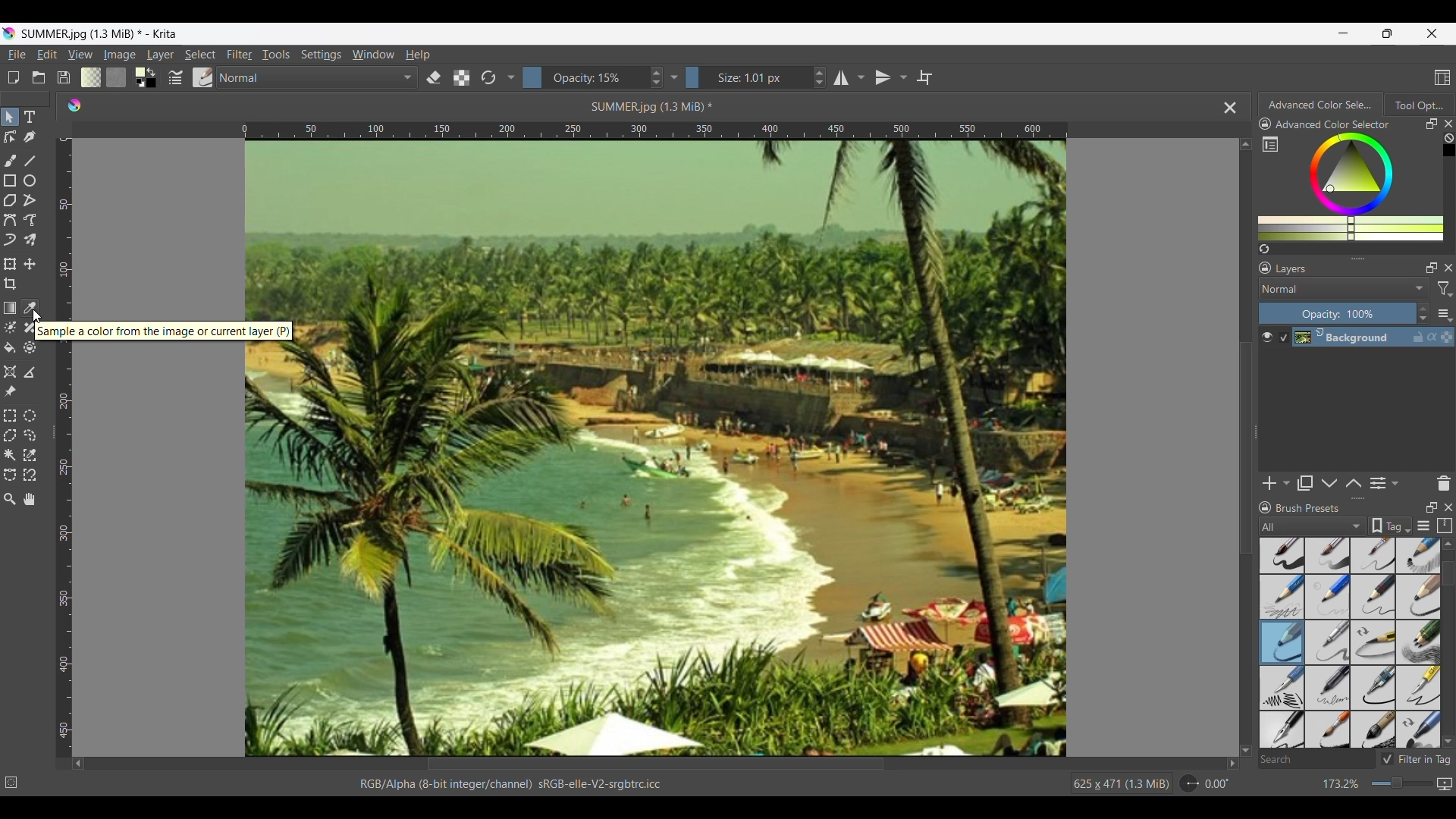 The height and width of the screenshot is (819, 1456). What do you see at coordinates (9, 264) in the screenshot?
I see `Transform a layer or selection ` at bounding box center [9, 264].